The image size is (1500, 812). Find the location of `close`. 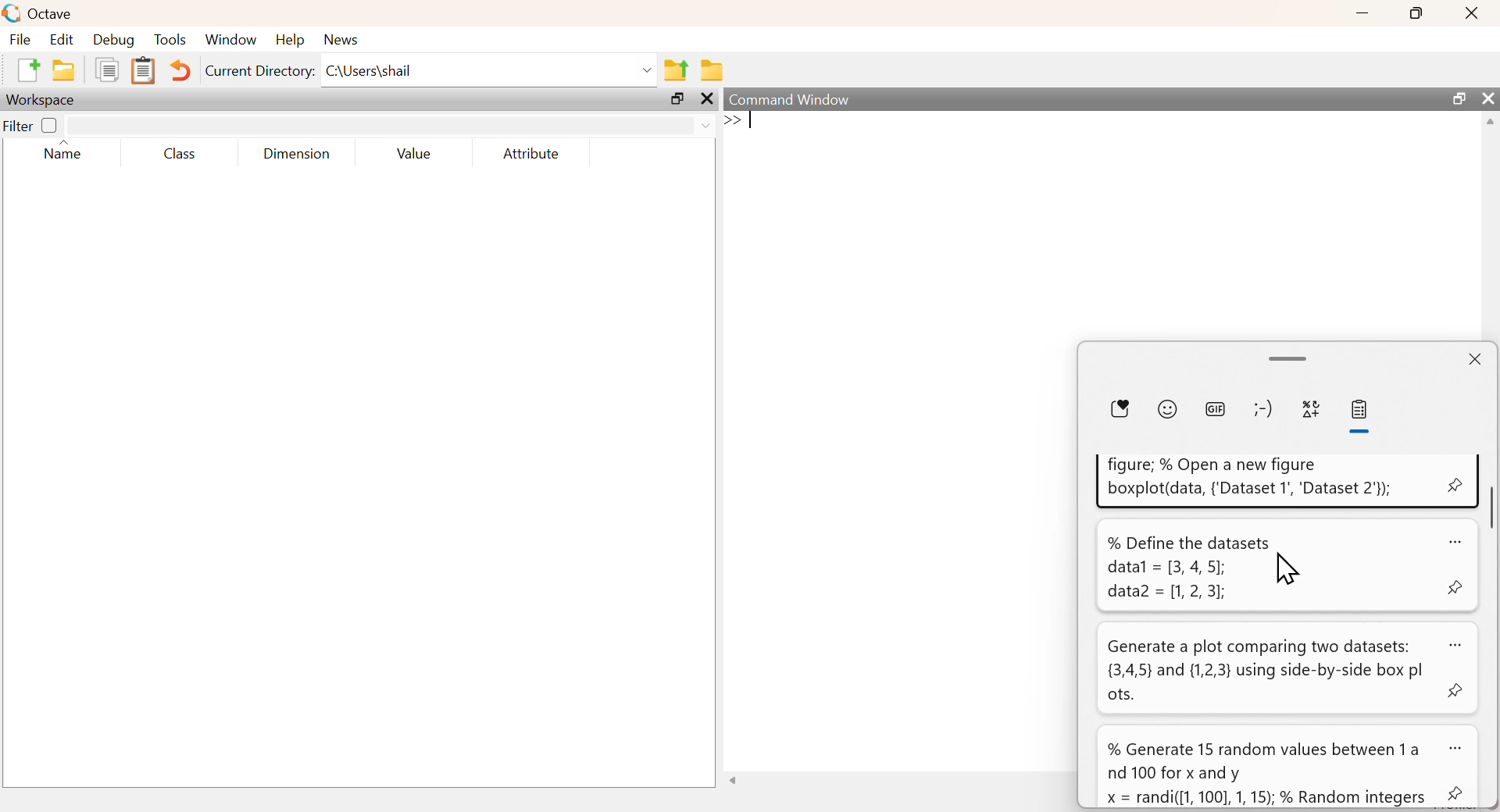

close is located at coordinates (1472, 13).